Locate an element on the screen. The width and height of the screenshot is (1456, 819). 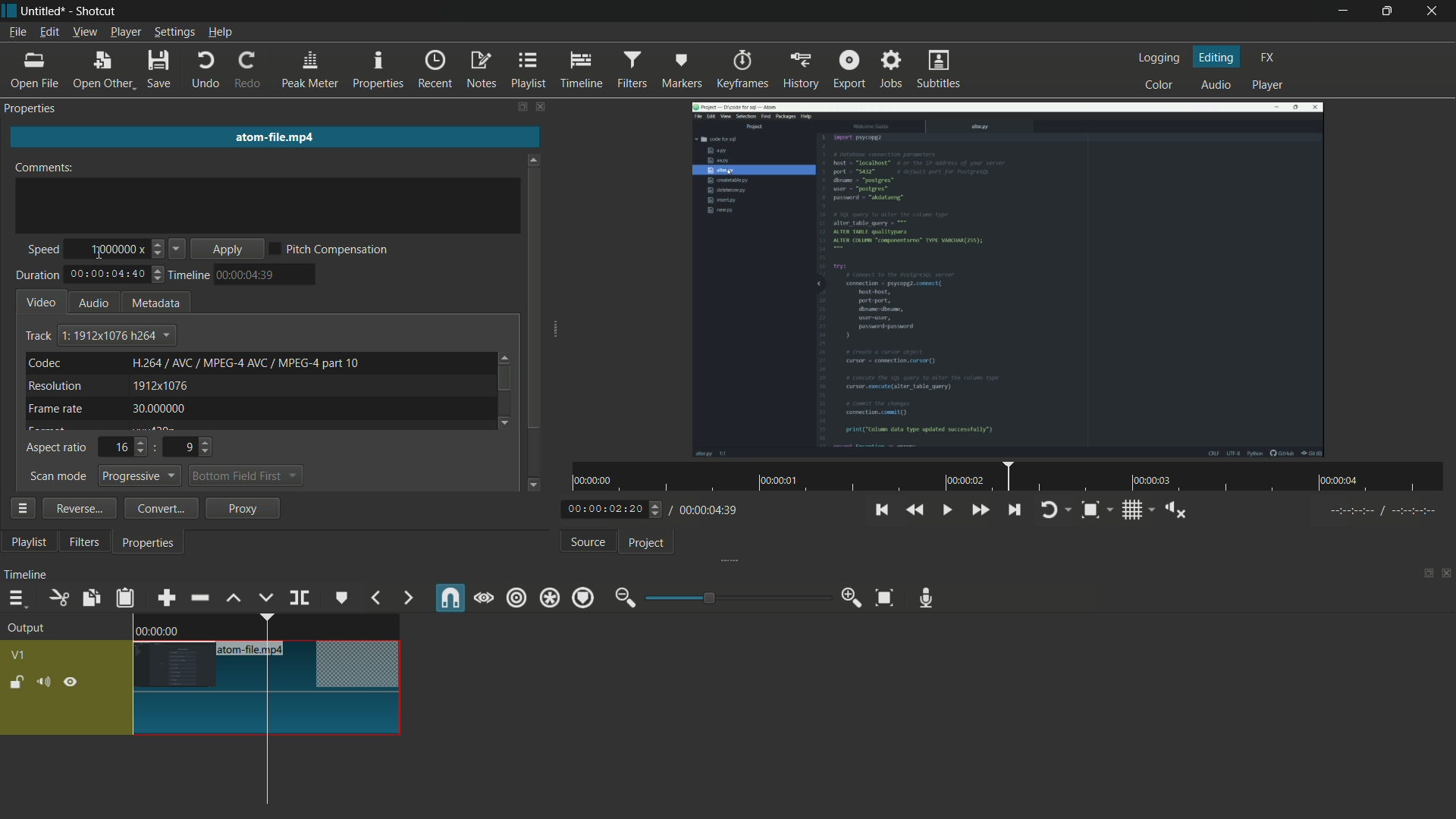
toggle player looping is located at coordinates (1050, 510).